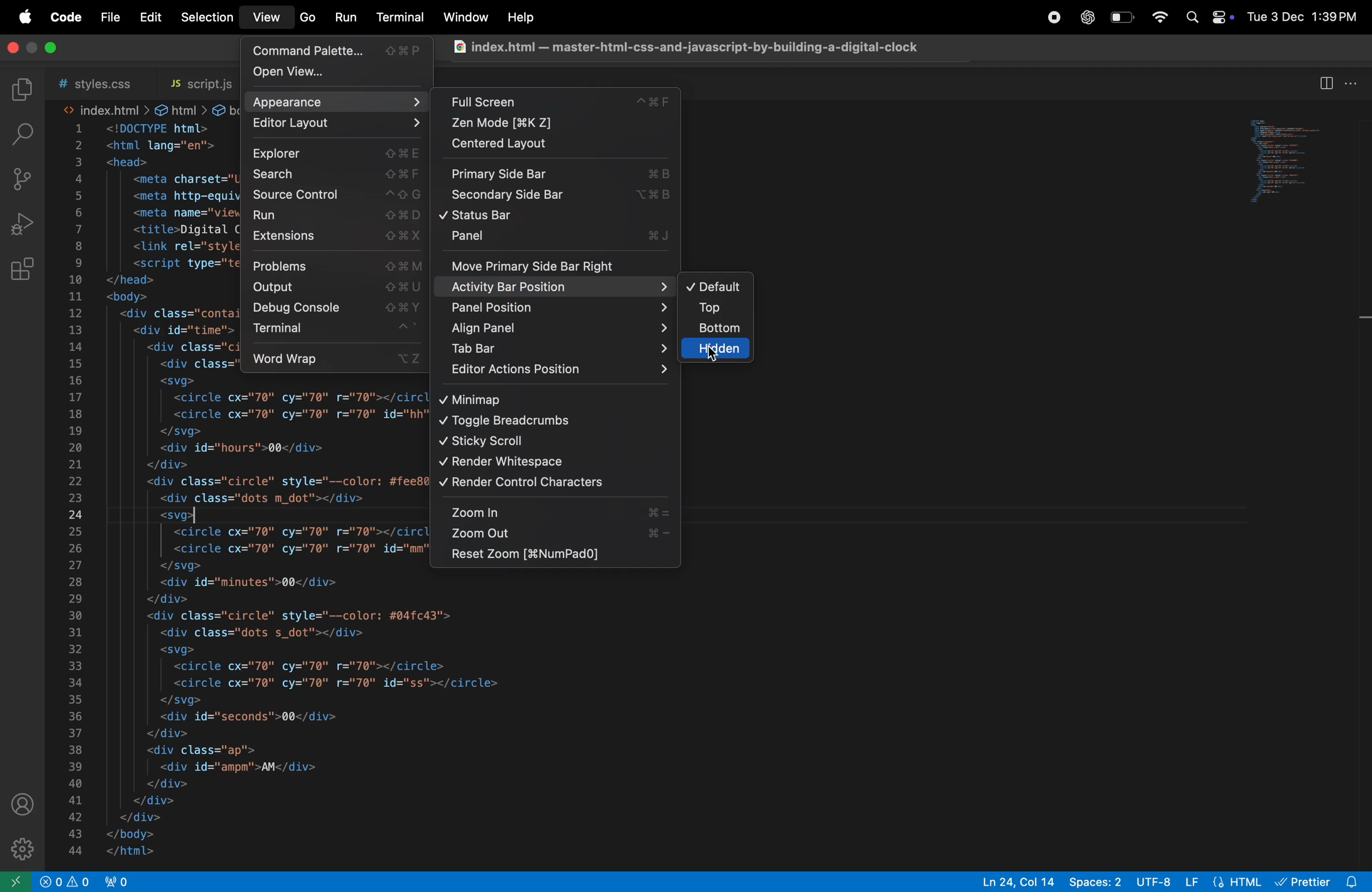 The height and width of the screenshot is (892, 1372). Describe the element at coordinates (331, 195) in the screenshot. I see `source control` at that location.